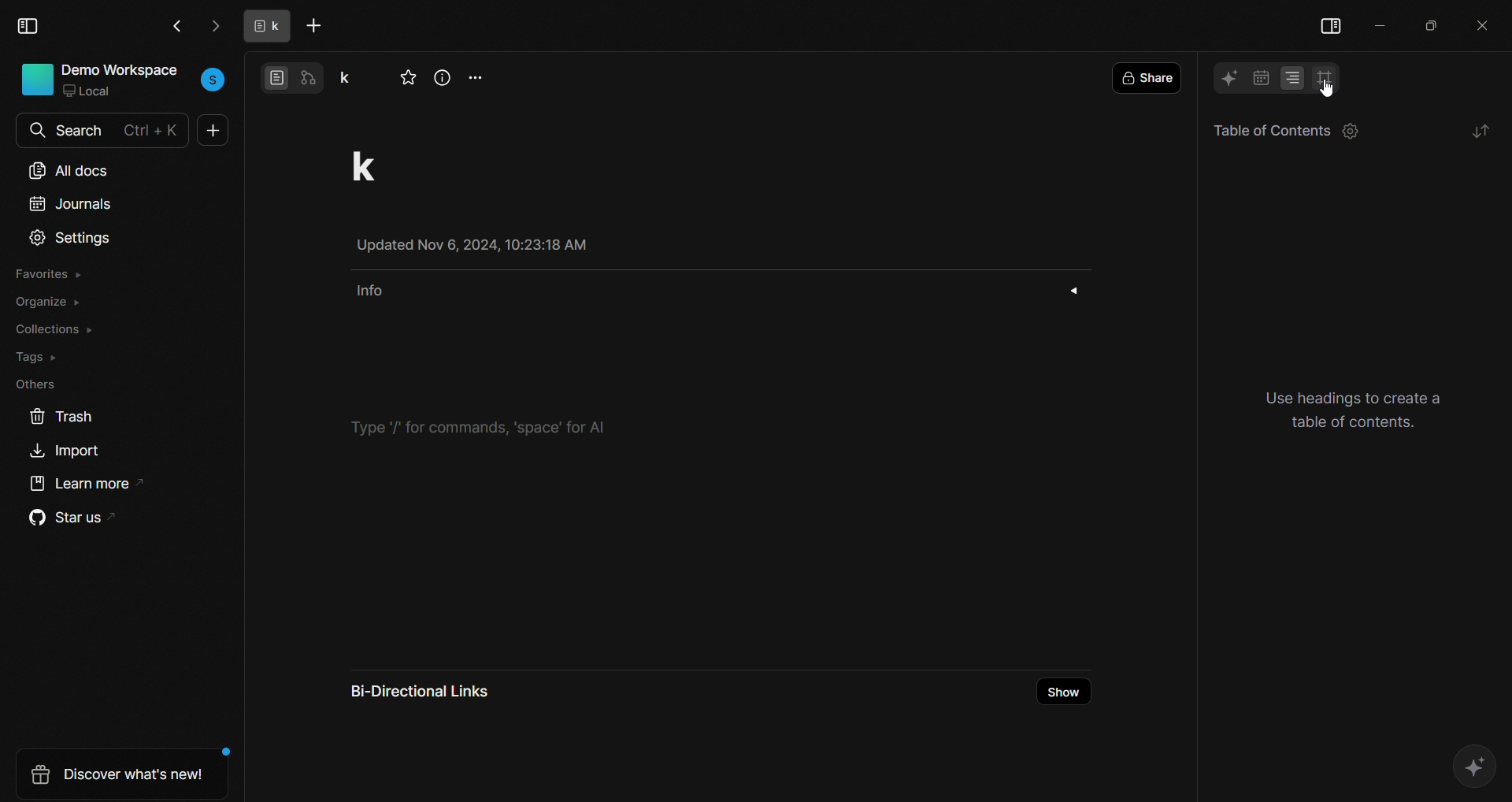  What do you see at coordinates (1065, 692) in the screenshot?
I see `show` at bounding box center [1065, 692].